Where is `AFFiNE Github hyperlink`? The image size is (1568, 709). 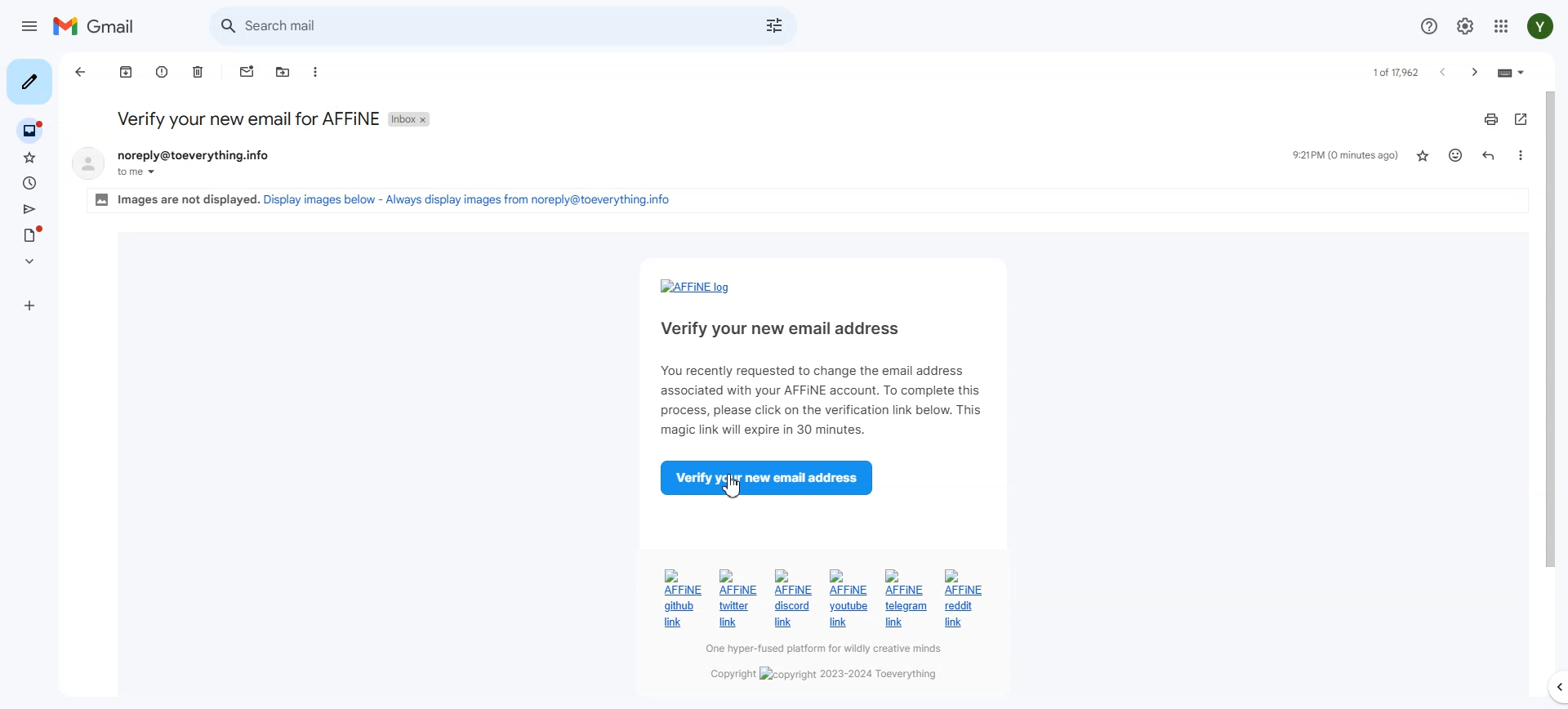
AFFiNE Github hyperlink is located at coordinates (679, 598).